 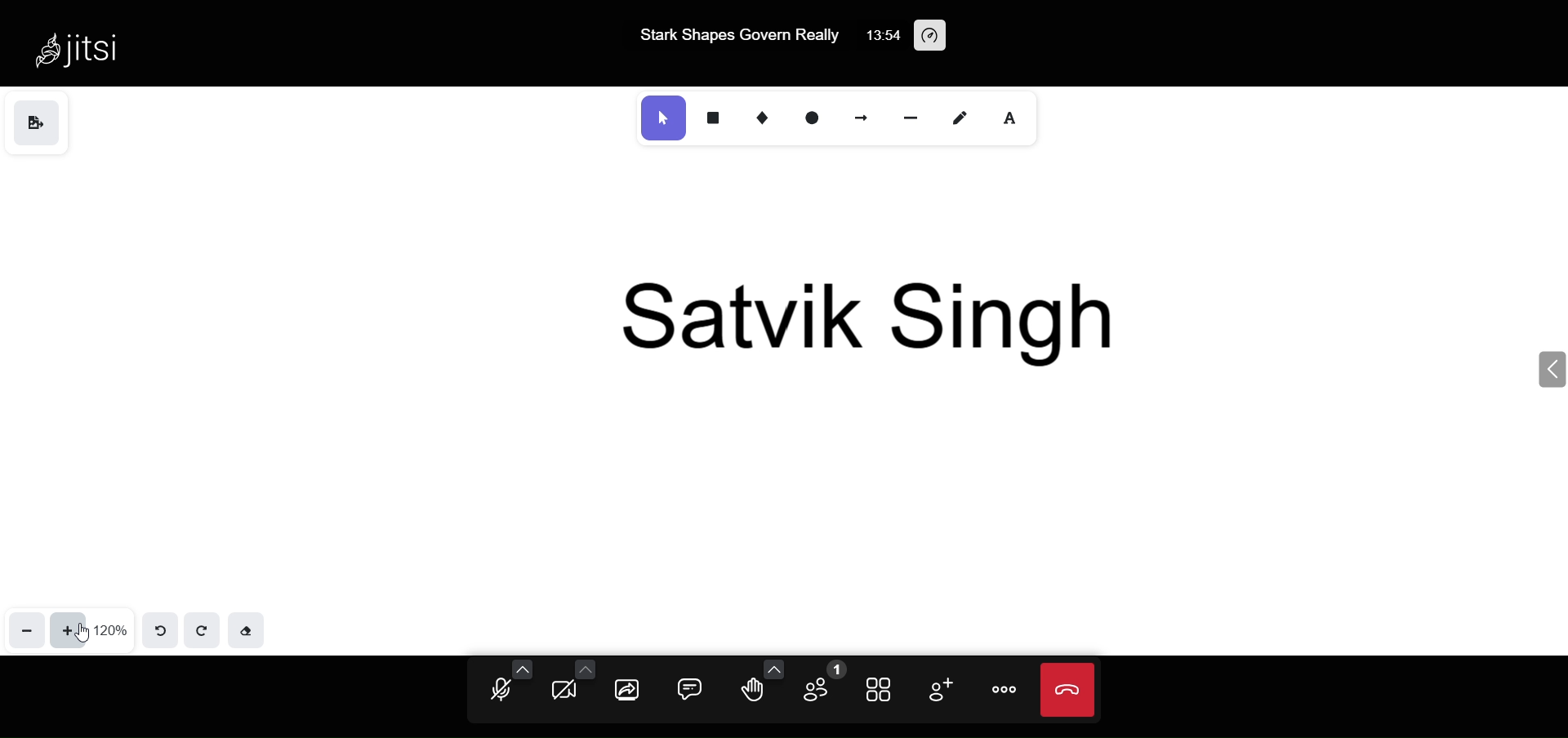 I want to click on cursor, so click(x=84, y=634).